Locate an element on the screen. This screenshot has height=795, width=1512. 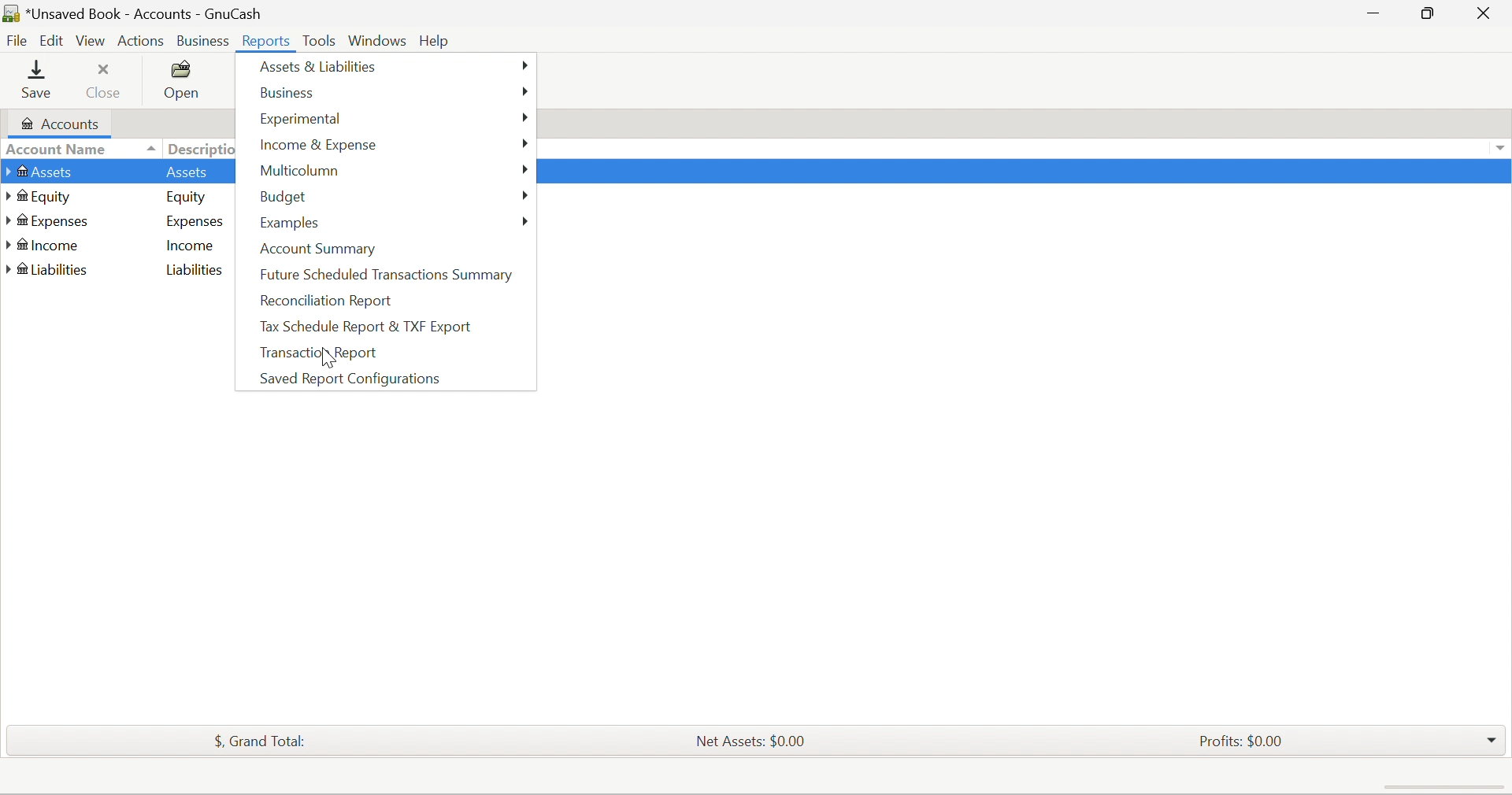
Expenses is located at coordinates (196, 224).